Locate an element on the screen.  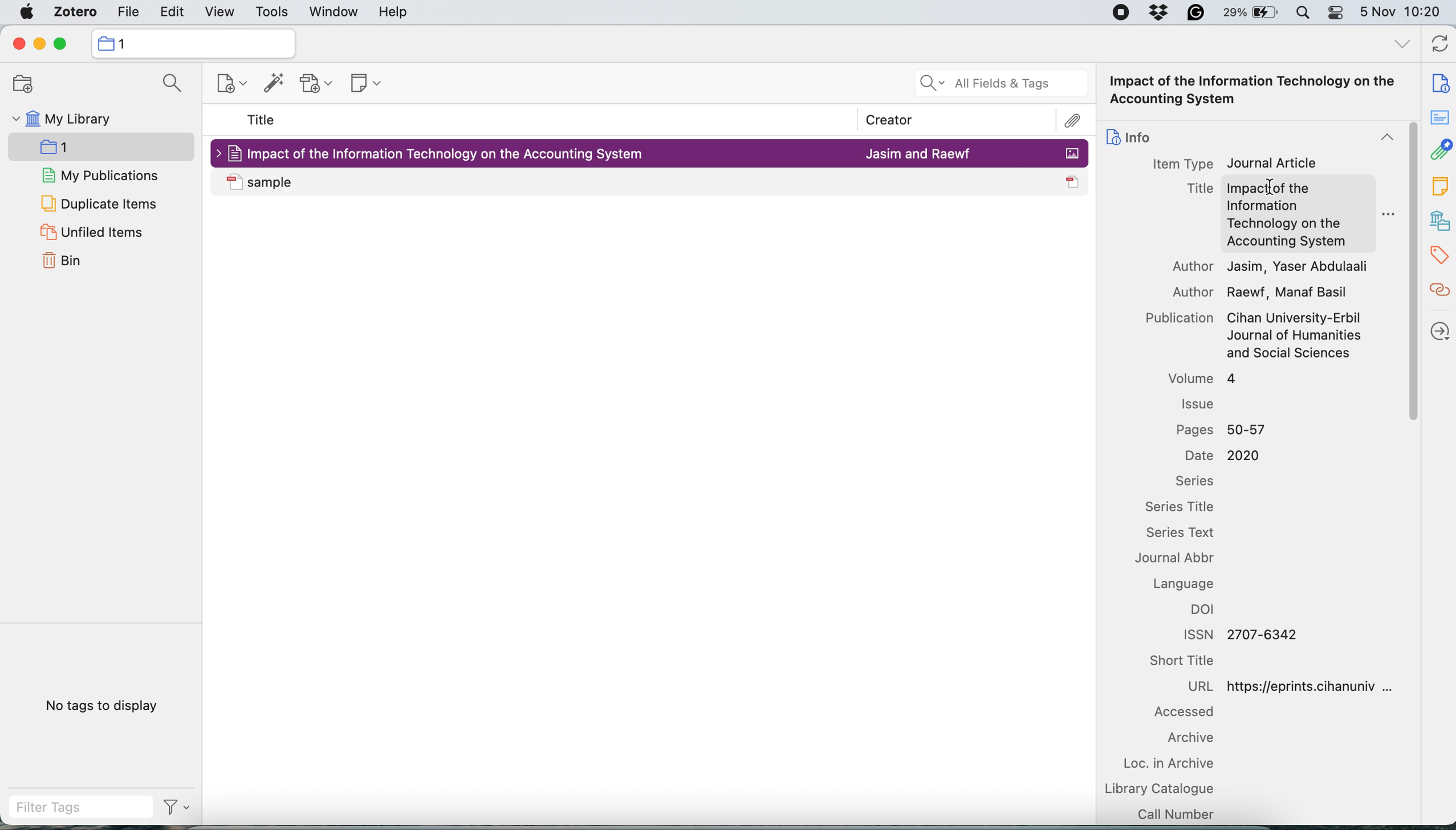
tags is located at coordinates (1439, 257).